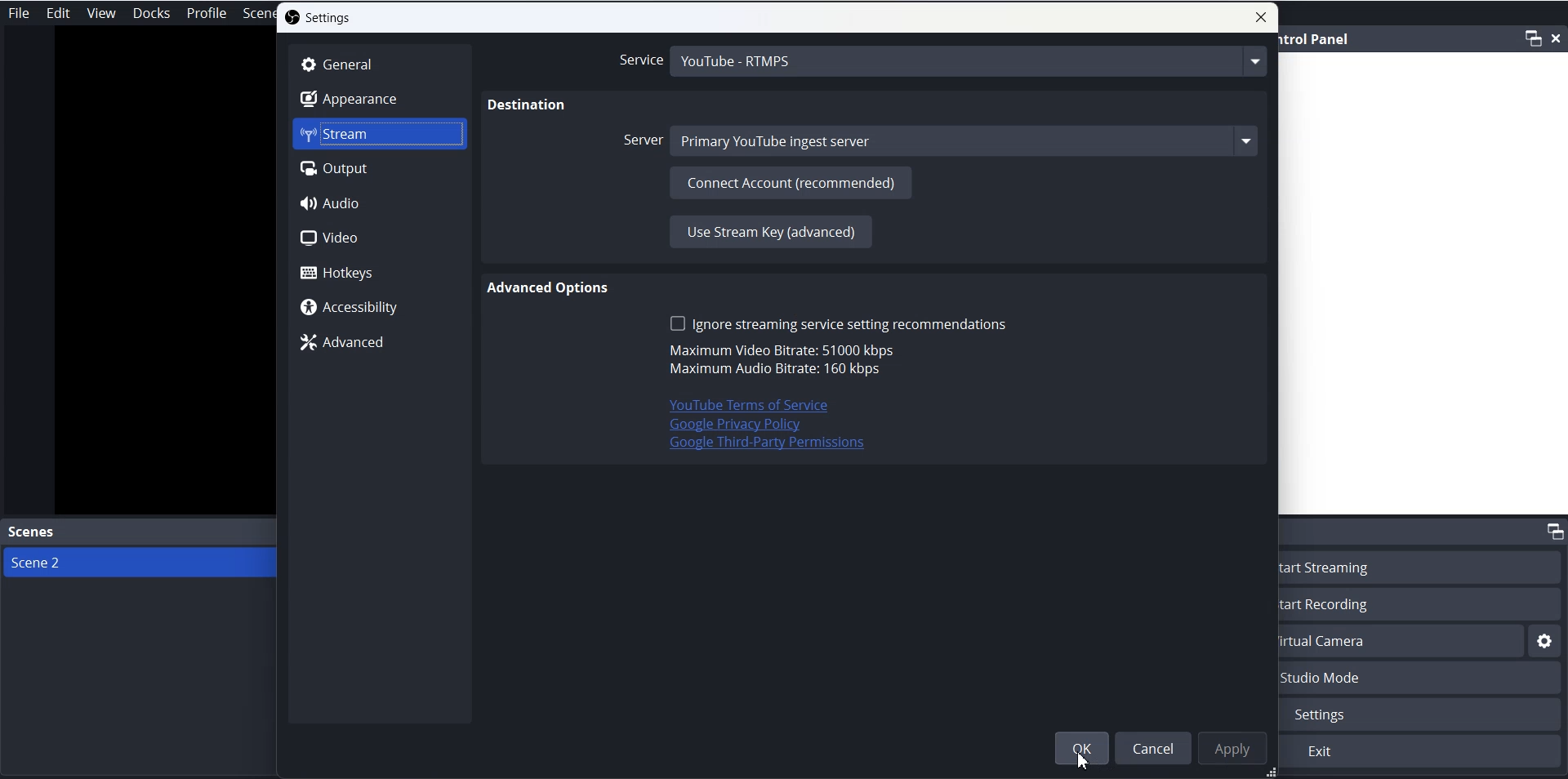 The height and width of the screenshot is (779, 1568). What do you see at coordinates (769, 231) in the screenshot?
I see `Use stream key advanced` at bounding box center [769, 231].